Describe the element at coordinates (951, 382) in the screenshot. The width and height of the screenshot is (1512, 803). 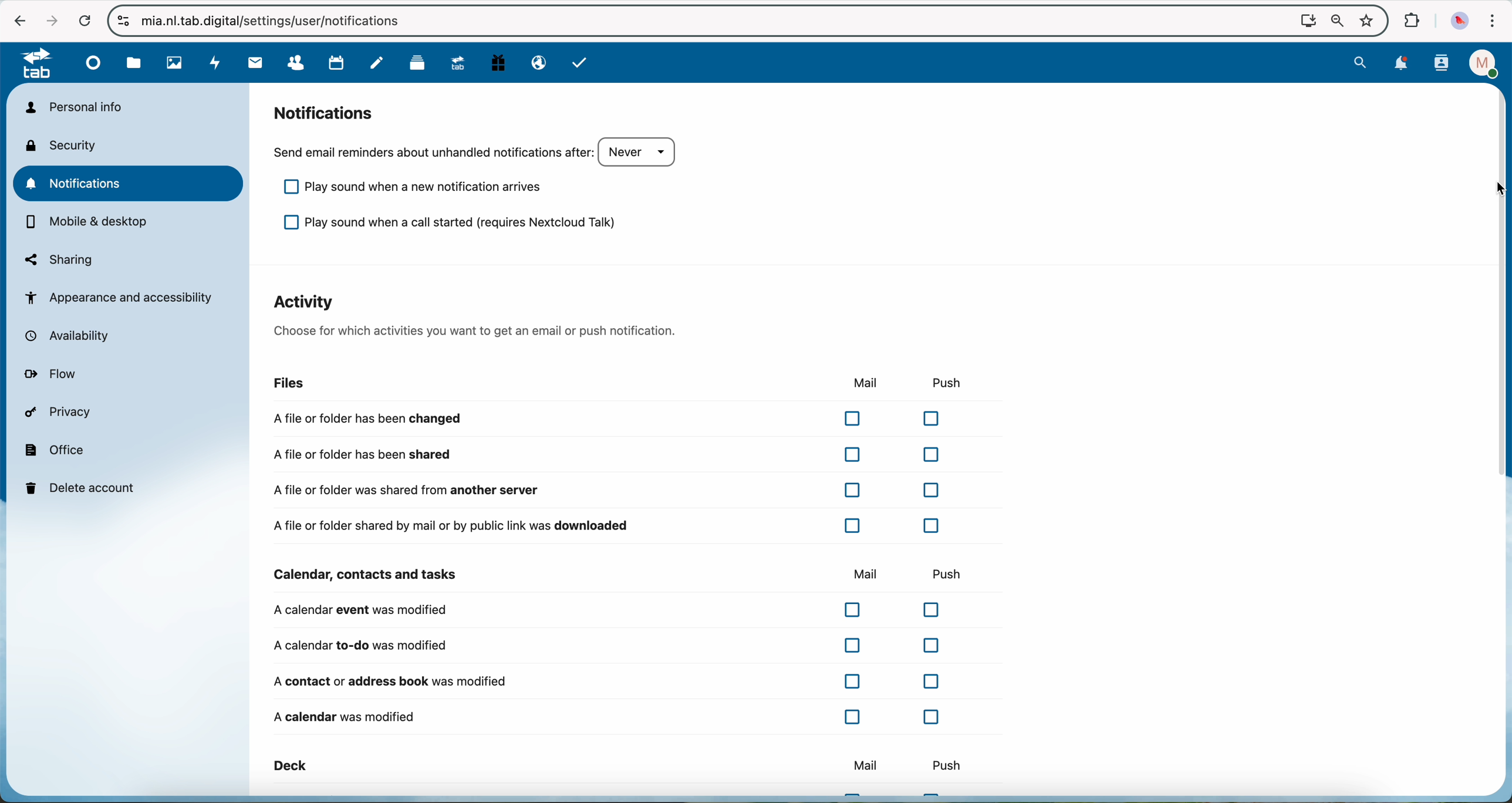
I see `push` at that location.